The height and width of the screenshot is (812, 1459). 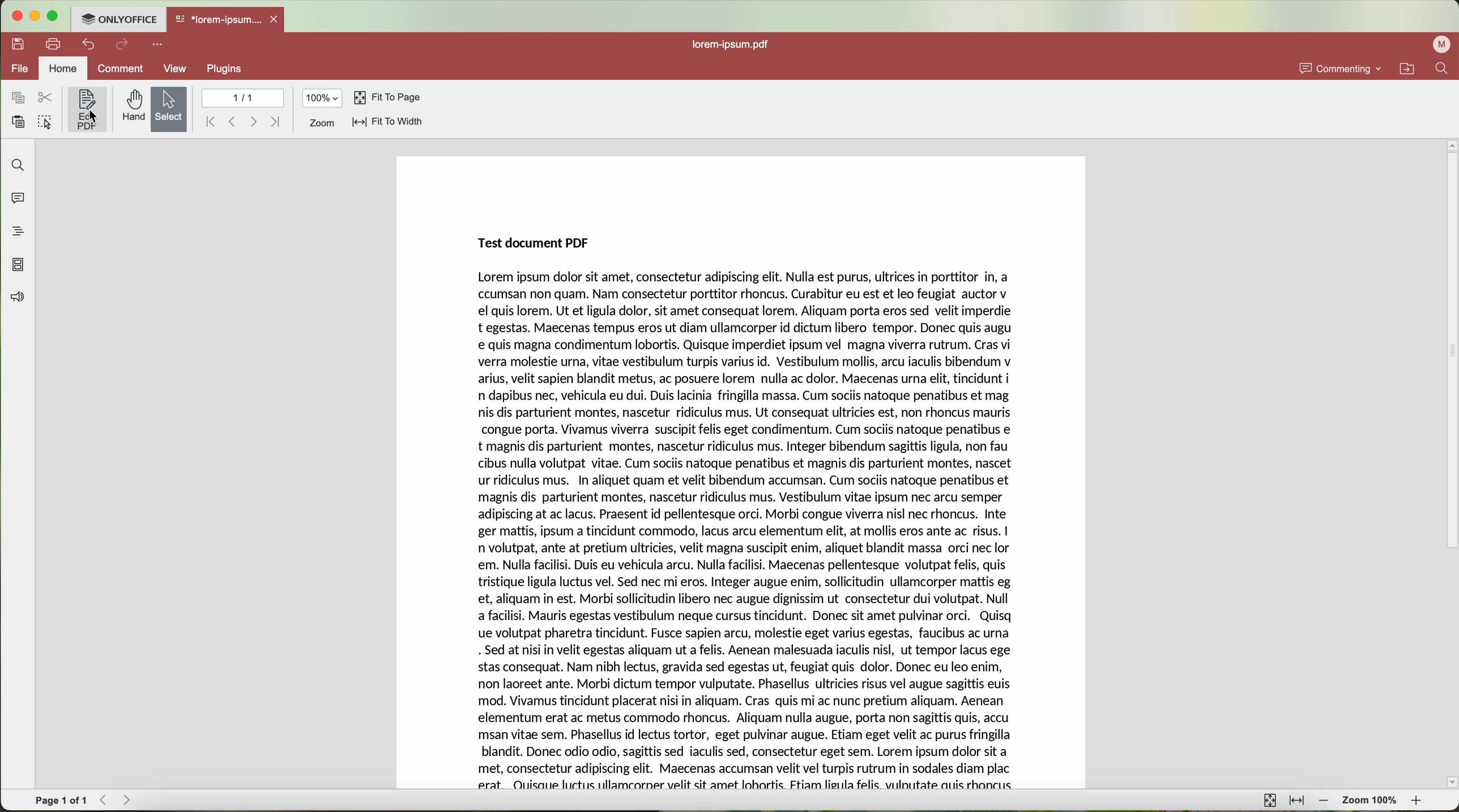 What do you see at coordinates (131, 800) in the screenshot?
I see `Forward` at bounding box center [131, 800].